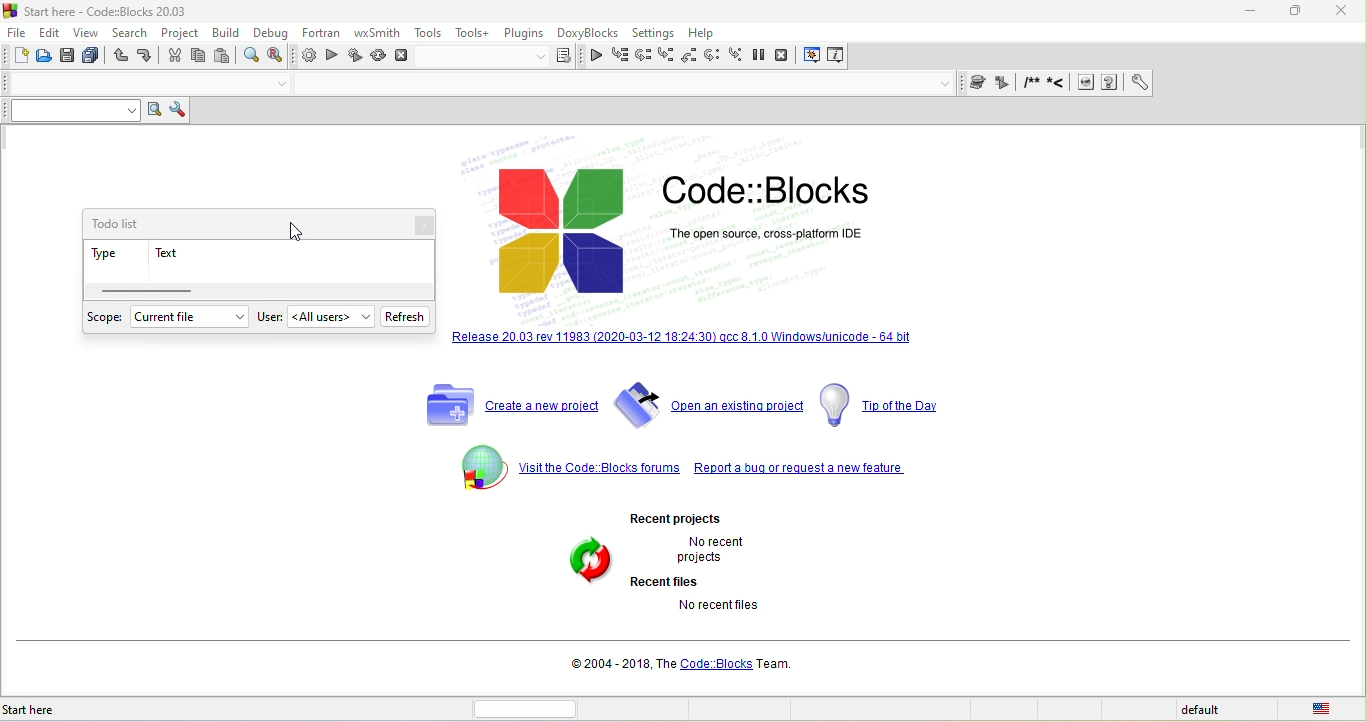 The height and width of the screenshot is (722, 1366). I want to click on fortan, so click(318, 35).